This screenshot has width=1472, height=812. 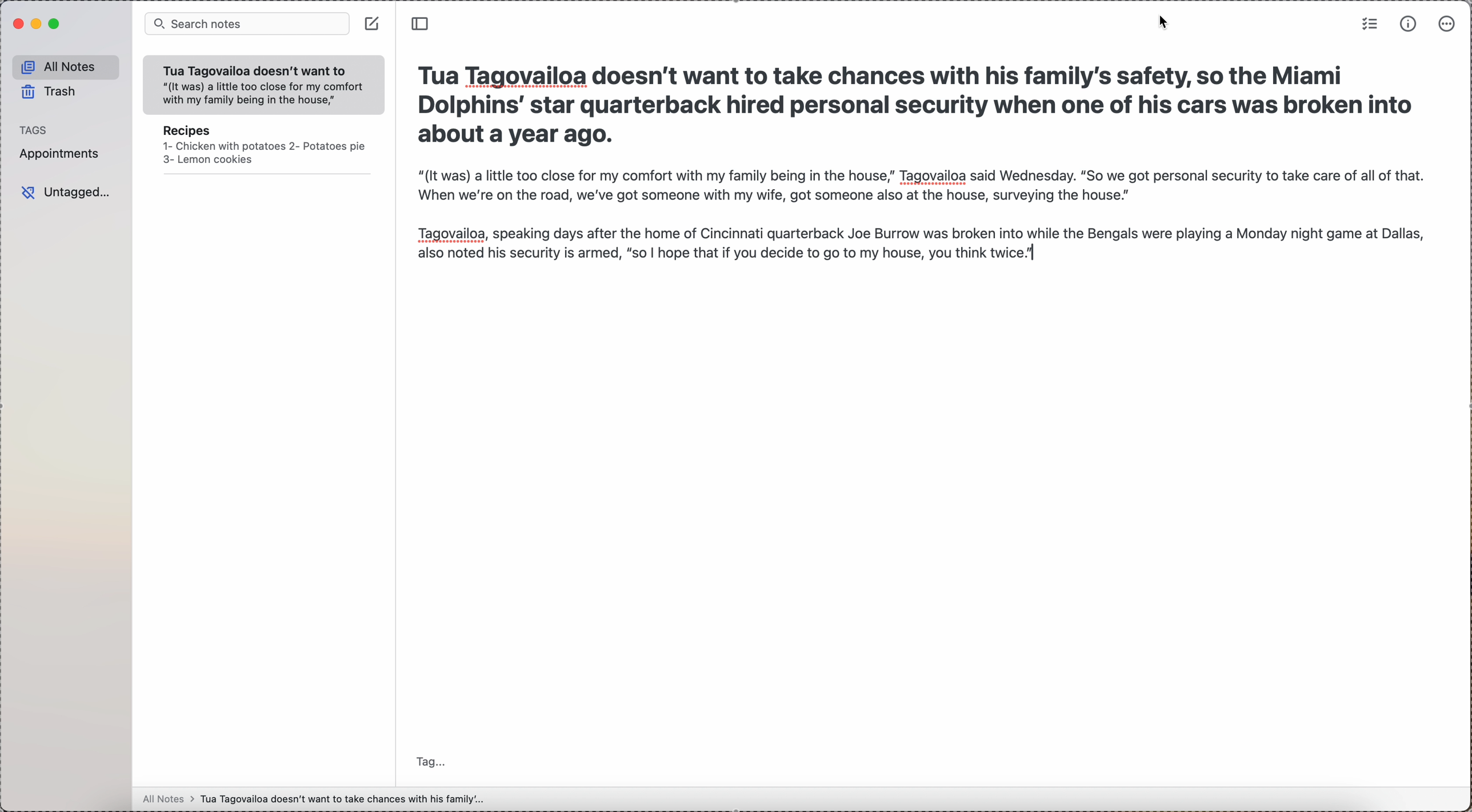 I want to click on tags, so click(x=33, y=130).